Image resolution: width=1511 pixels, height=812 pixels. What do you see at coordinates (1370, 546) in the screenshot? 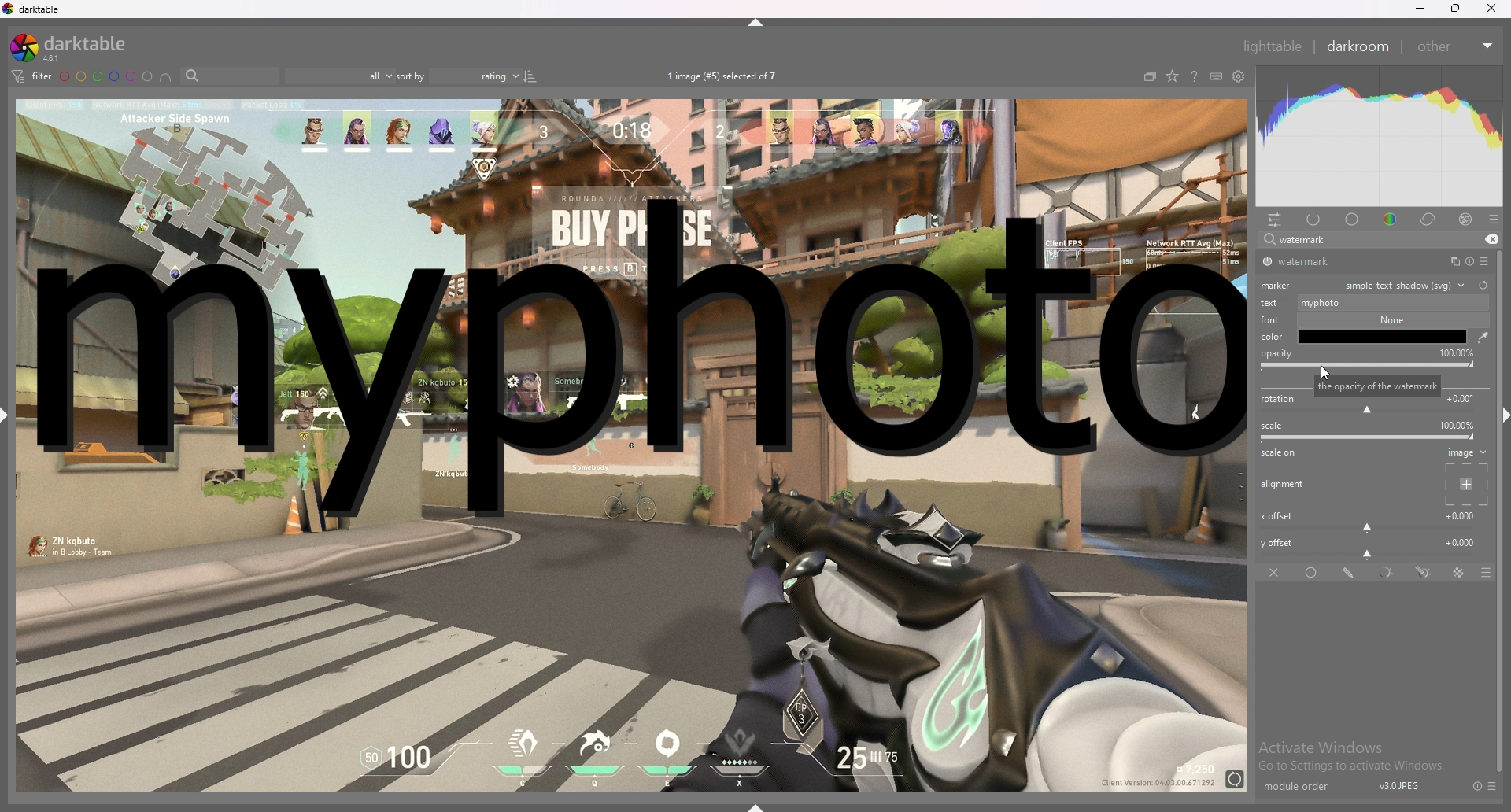
I see `y offset` at bounding box center [1370, 546].